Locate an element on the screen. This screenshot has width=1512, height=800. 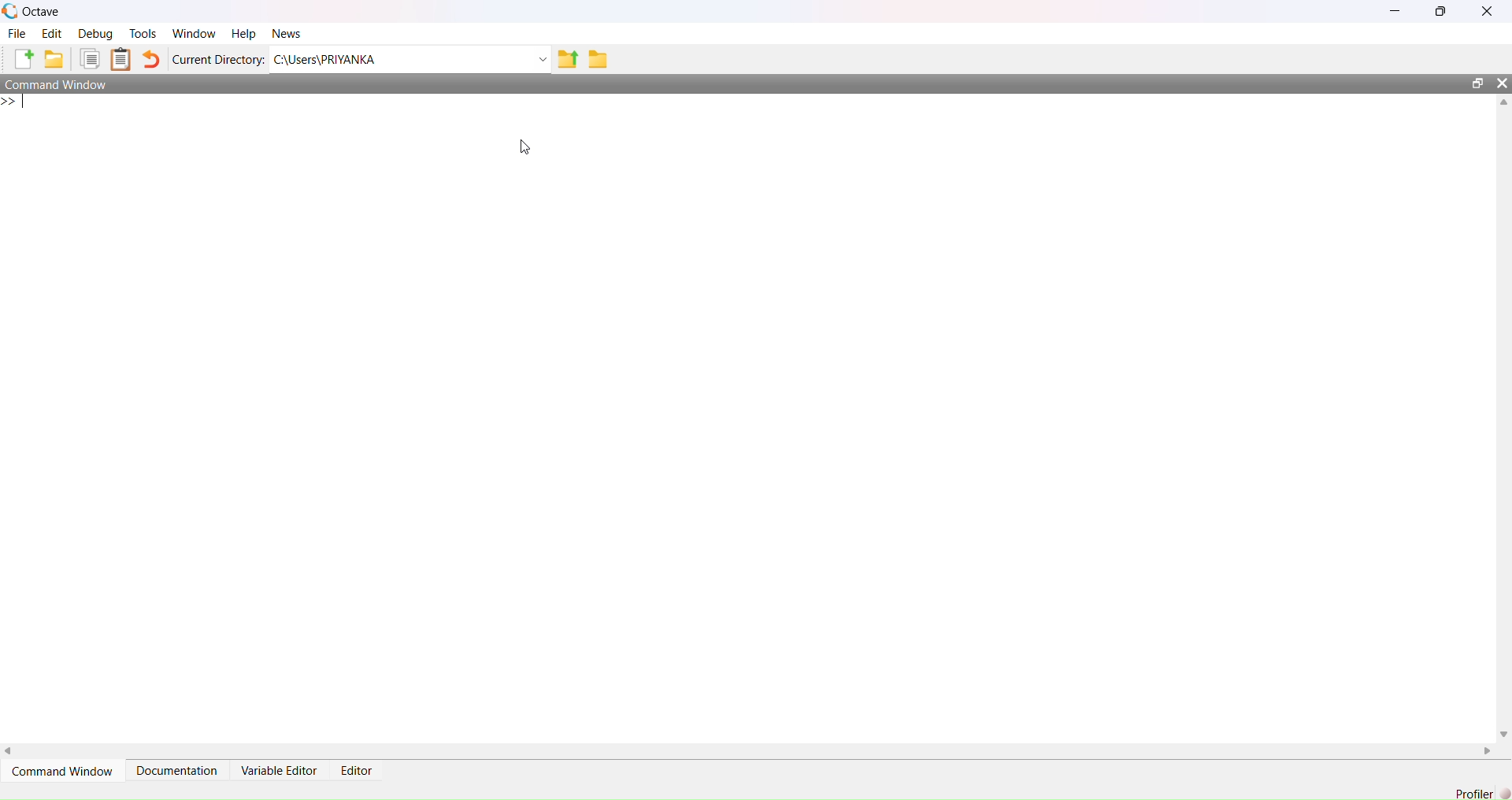
Left is located at coordinates (13, 747).